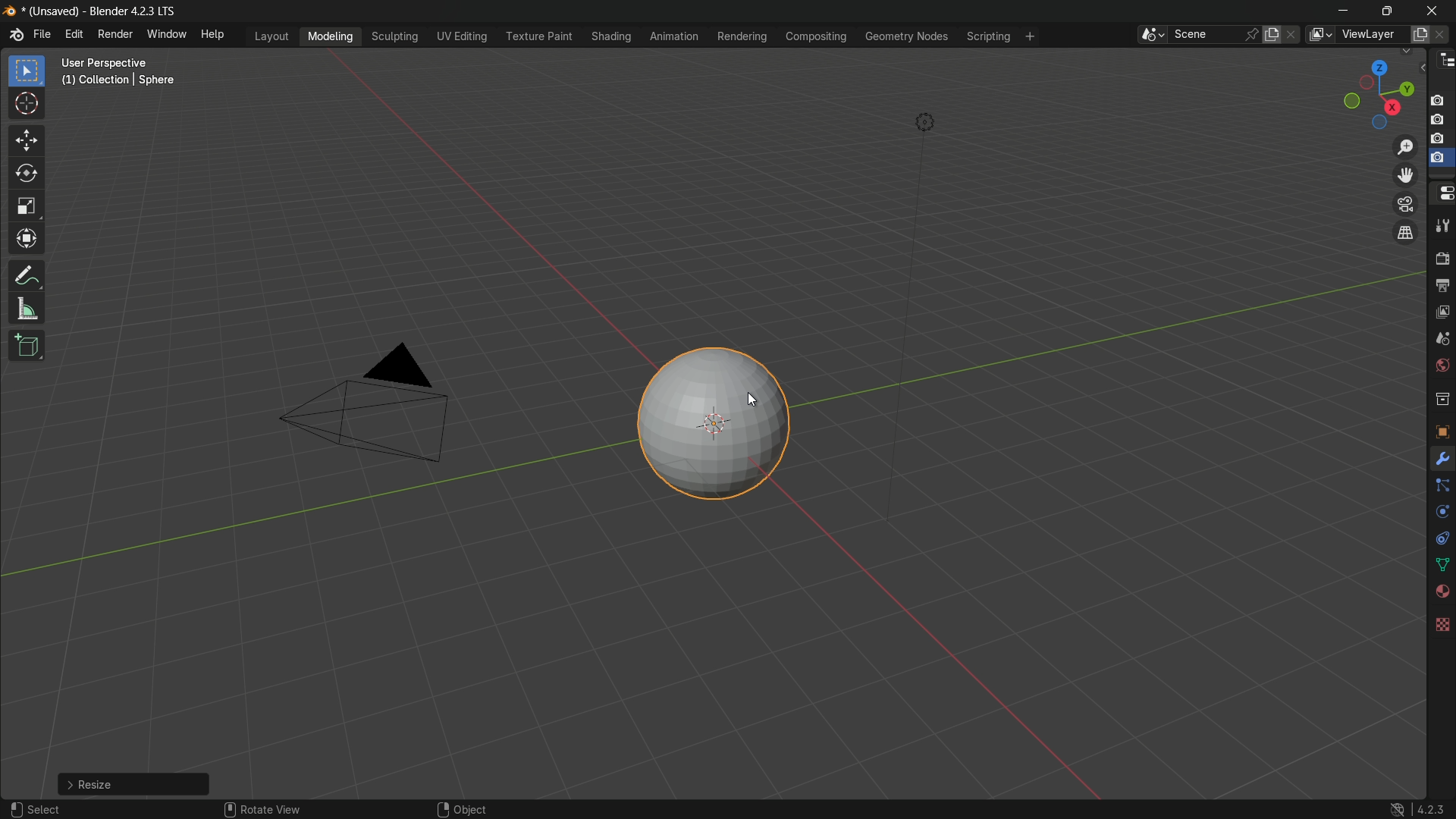  Describe the element at coordinates (1441, 513) in the screenshot. I see `physics` at that location.